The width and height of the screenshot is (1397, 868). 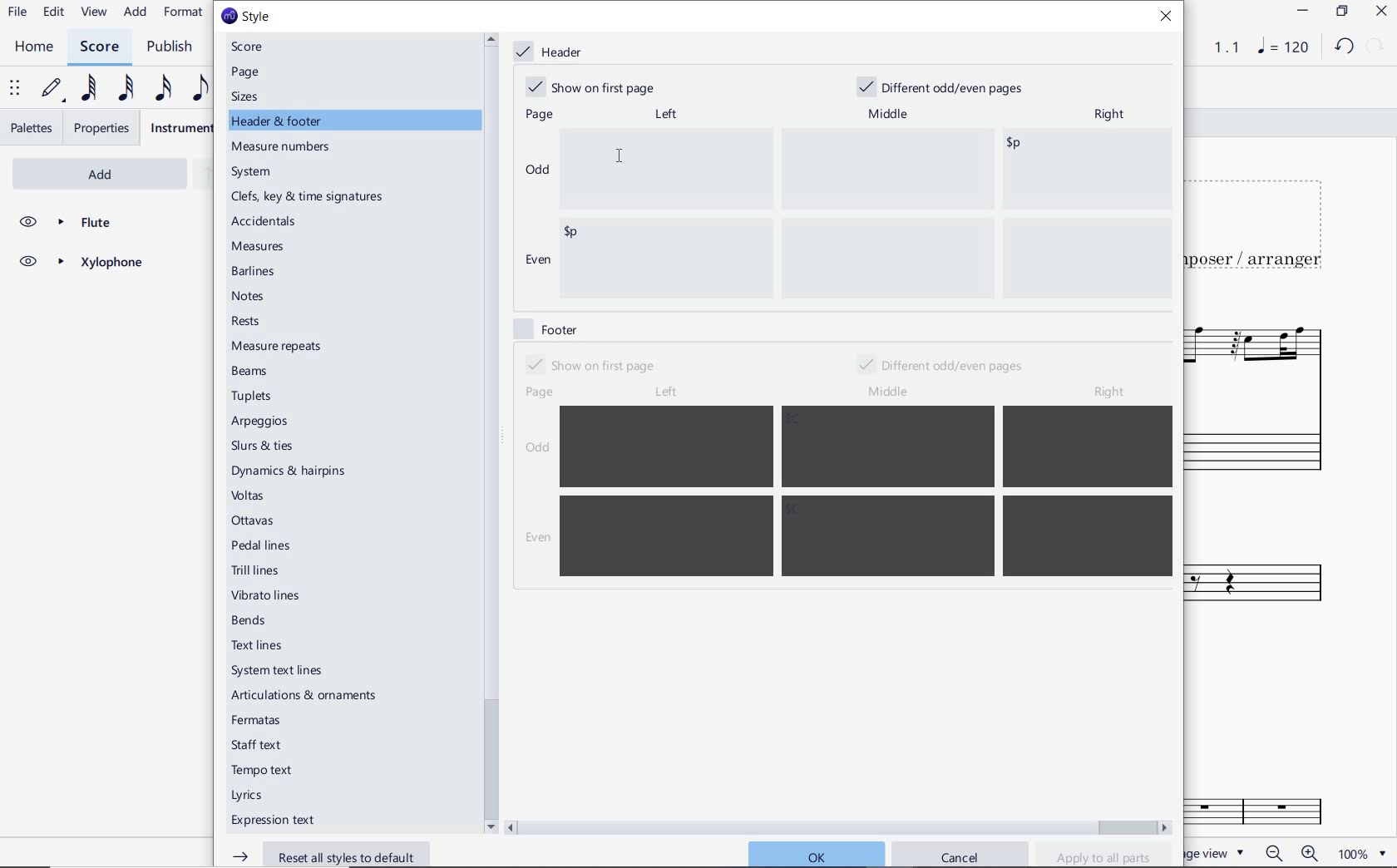 I want to click on notes, so click(x=249, y=296).